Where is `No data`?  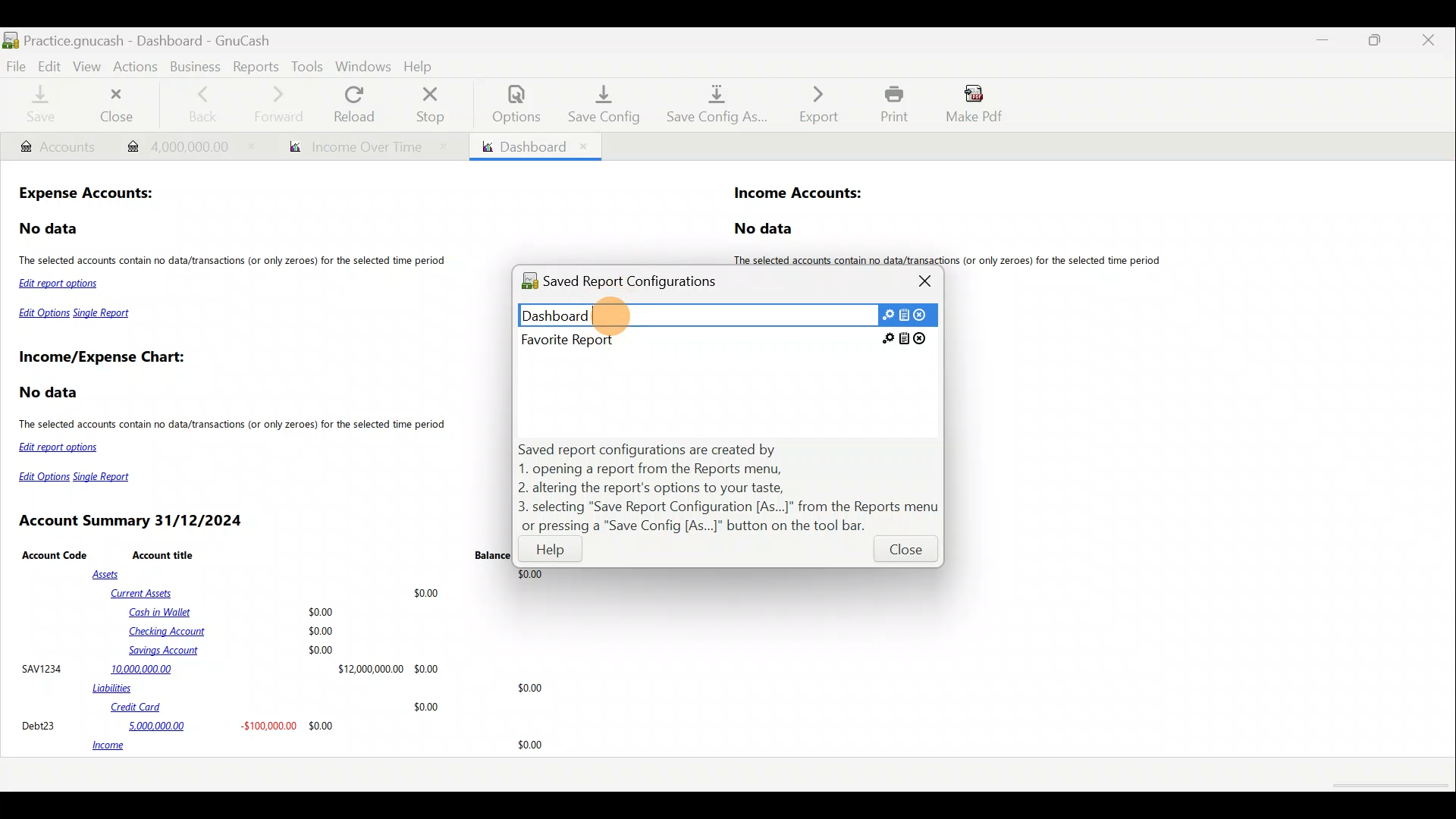
No data is located at coordinates (766, 229).